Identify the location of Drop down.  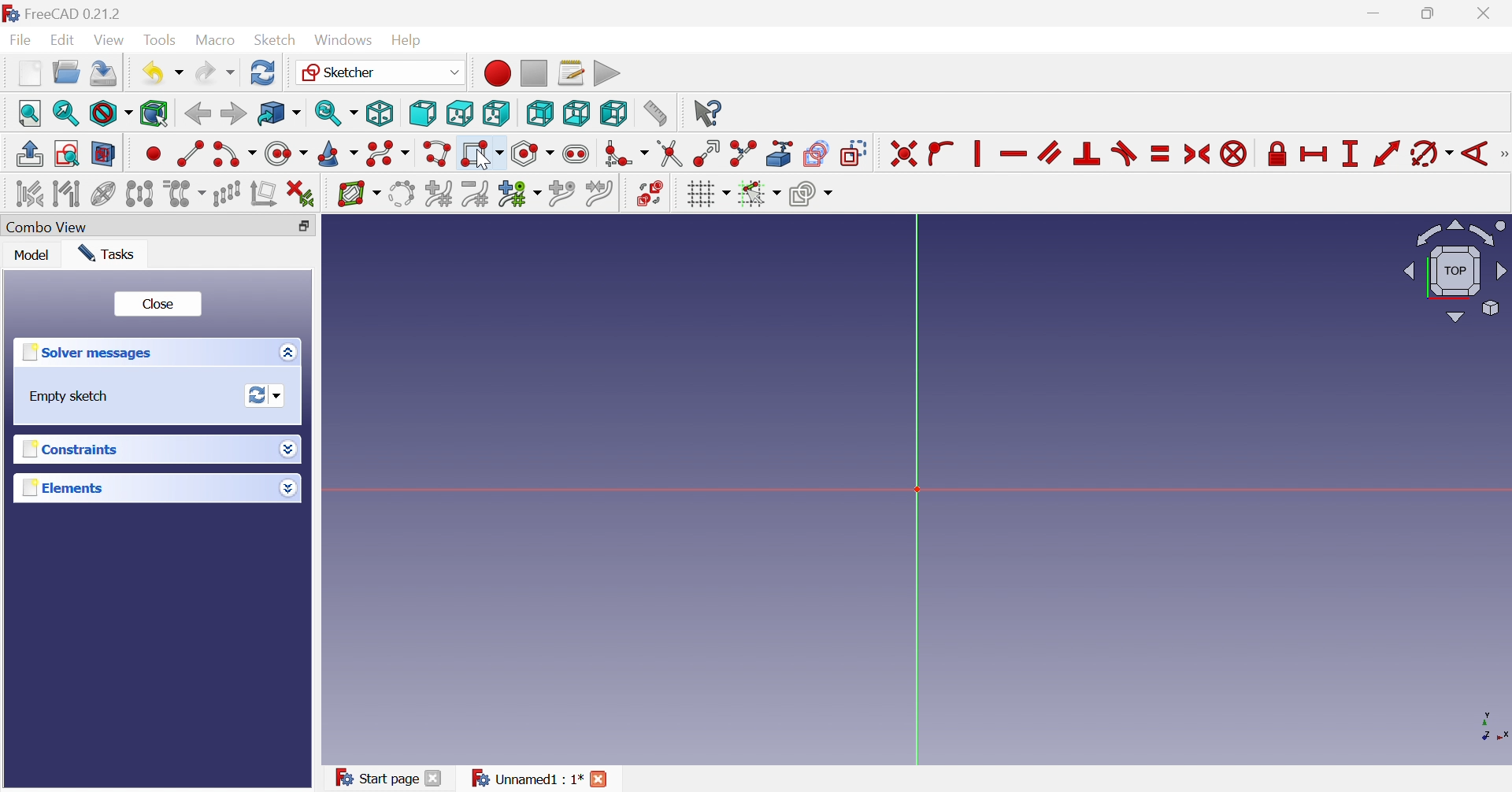
(287, 447).